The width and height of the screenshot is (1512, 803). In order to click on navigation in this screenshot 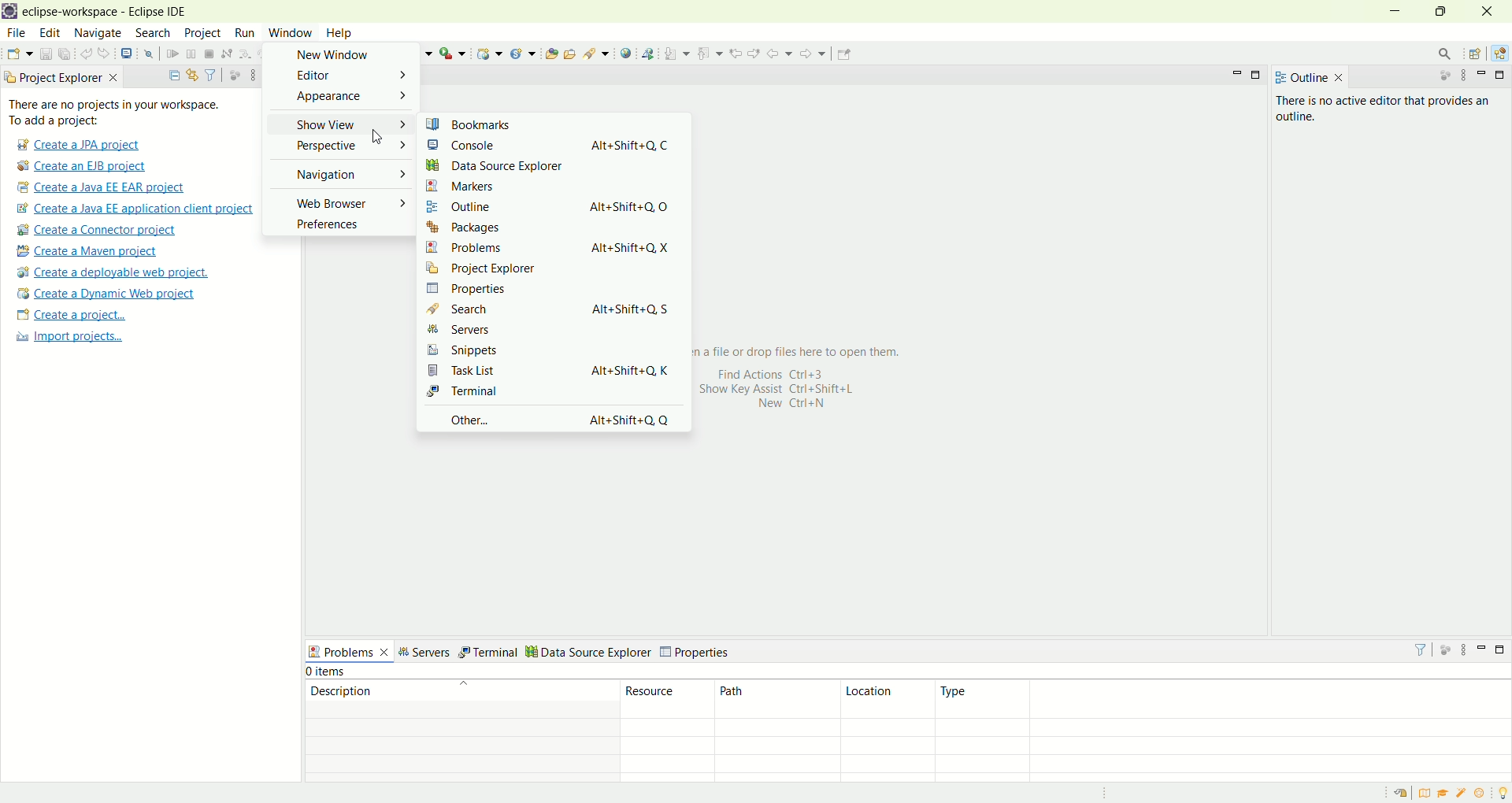, I will do `click(339, 172)`.